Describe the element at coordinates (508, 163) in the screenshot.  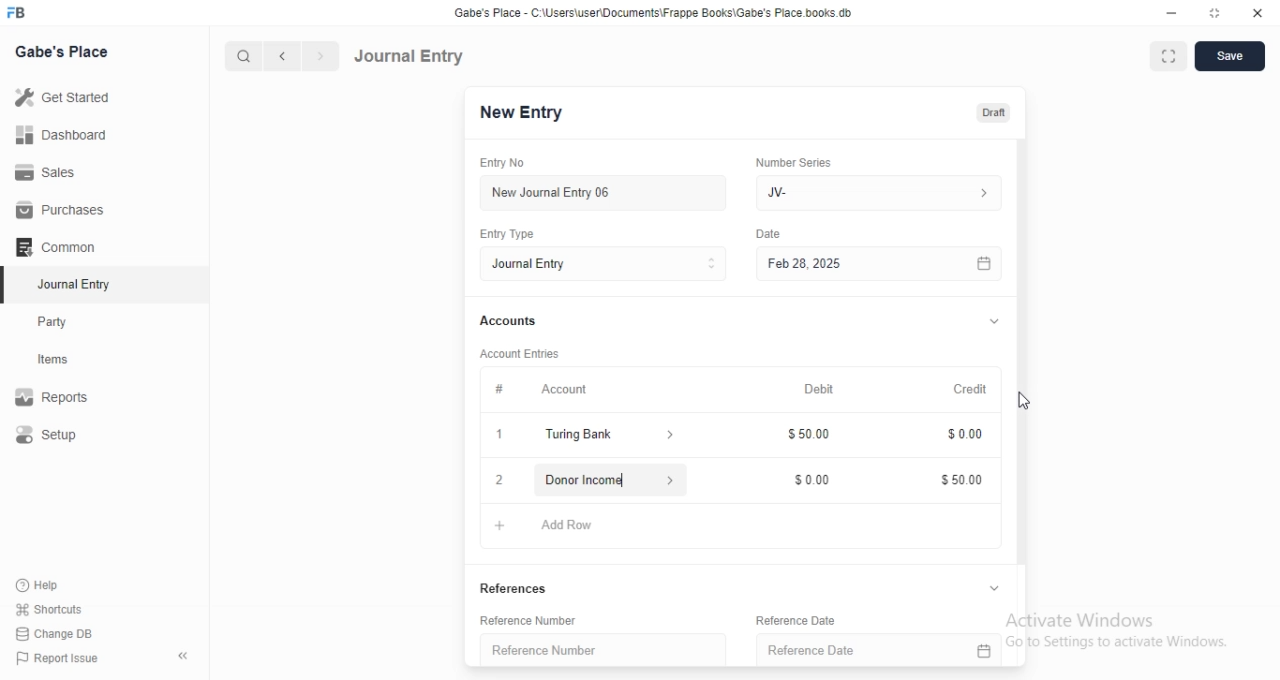
I see `Entry No.` at that location.